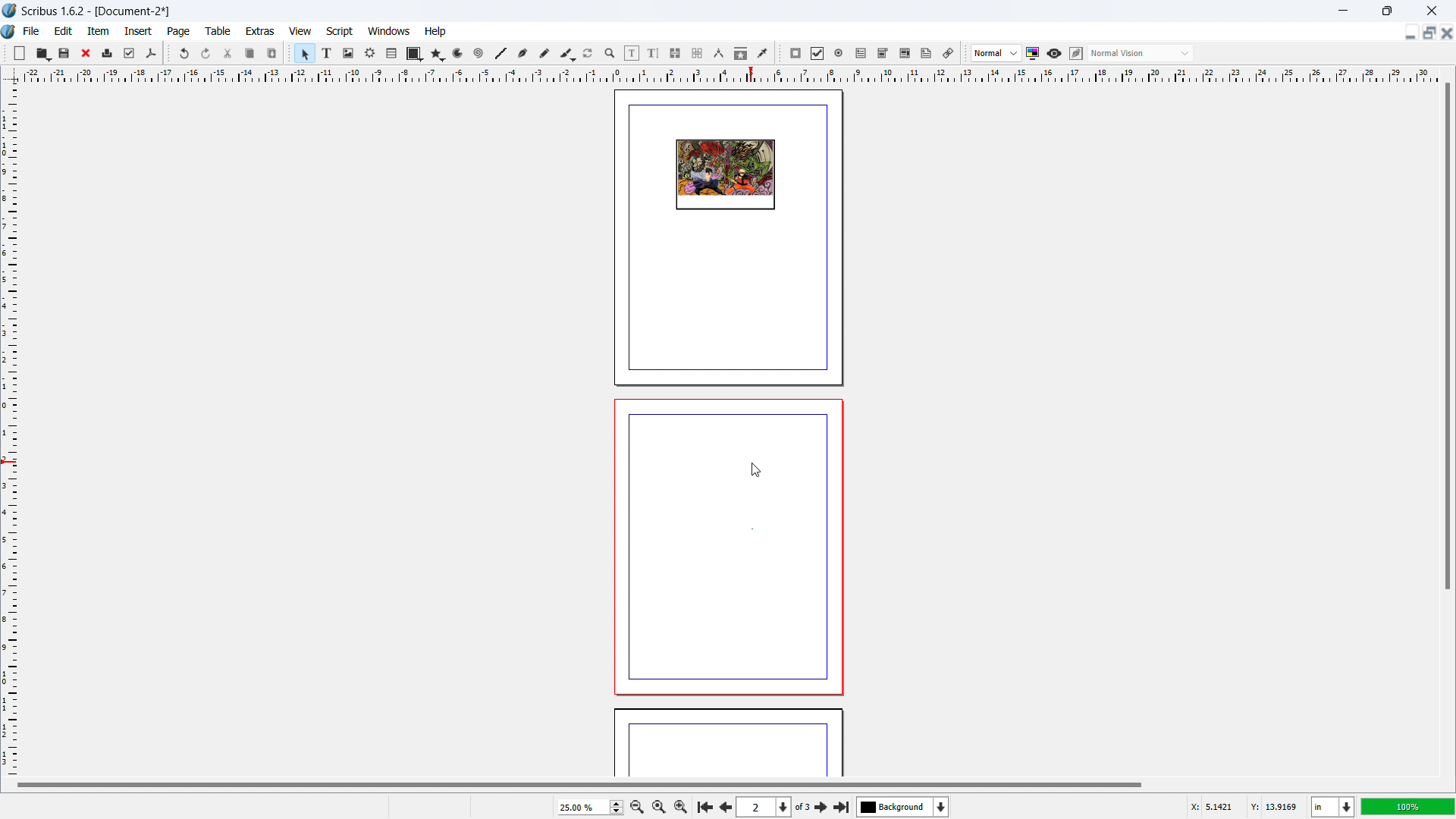  What do you see at coordinates (1408, 806) in the screenshot?
I see `zoom level` at bounding box center [1408, 806].